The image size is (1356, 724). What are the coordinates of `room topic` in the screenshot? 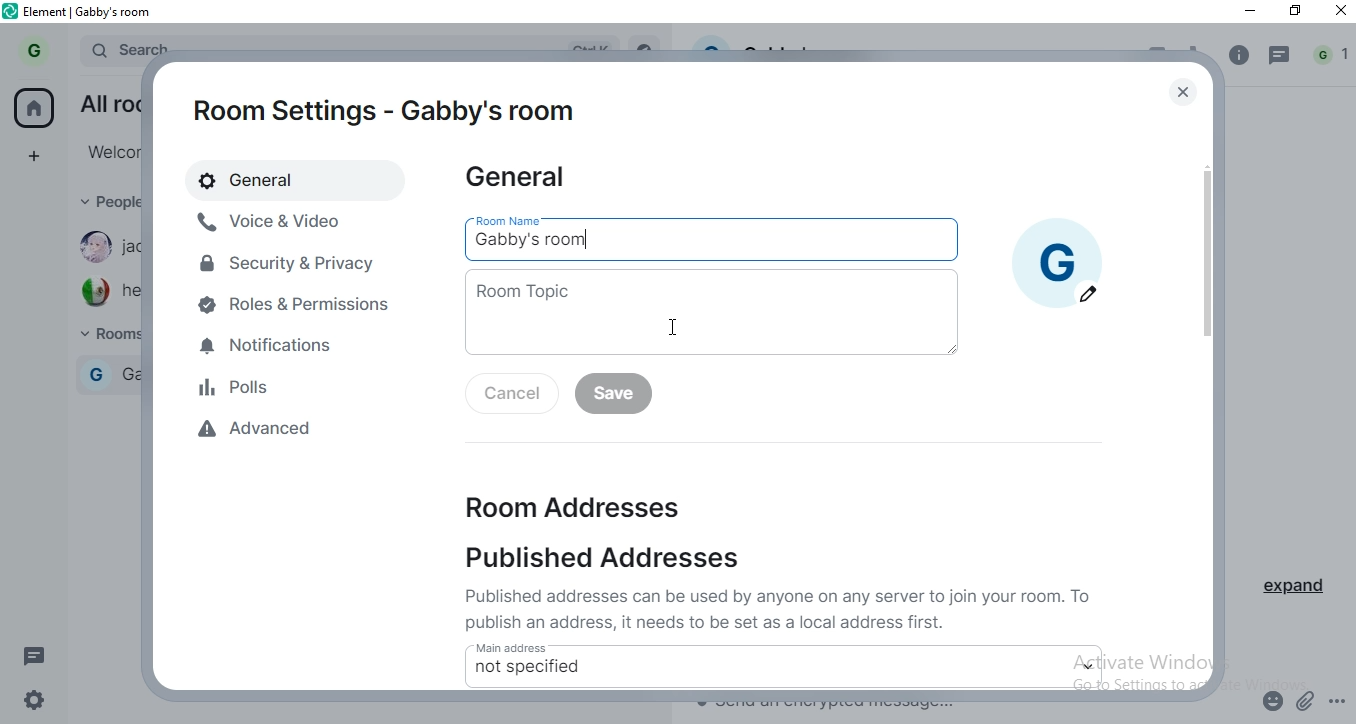 It's located at (707, 311).